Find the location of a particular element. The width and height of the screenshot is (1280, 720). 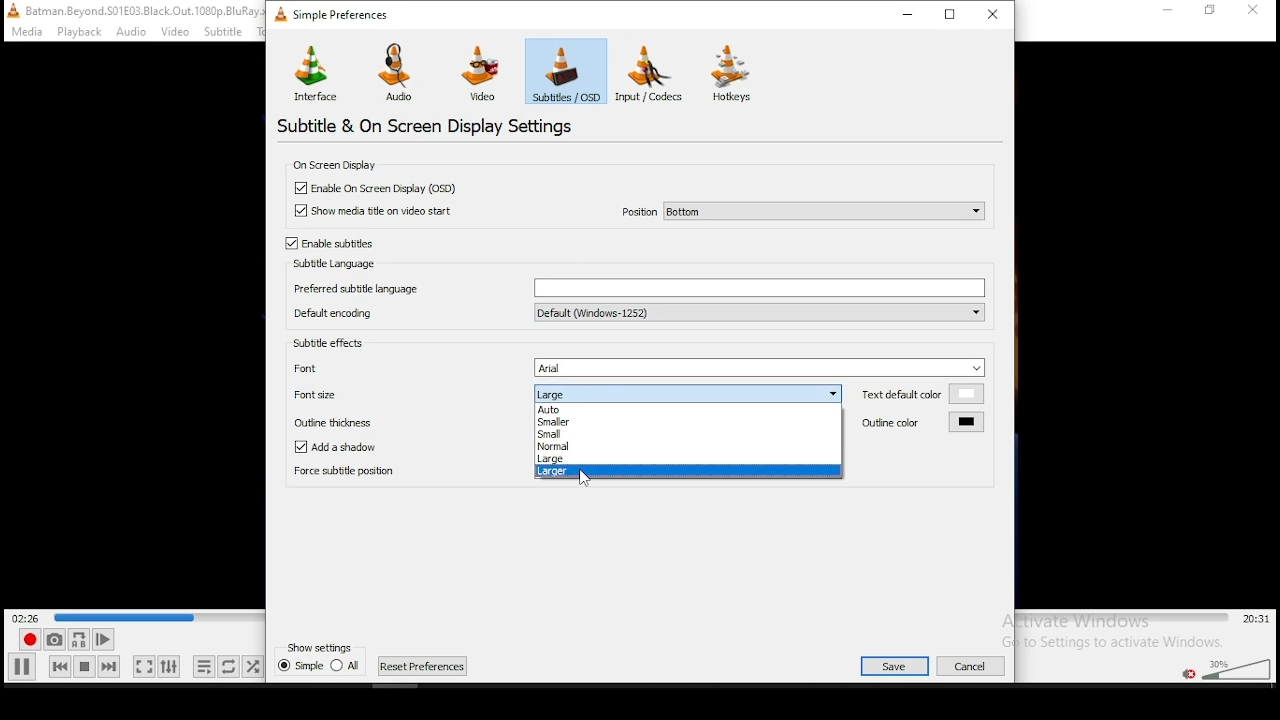

elapsed time is located at coordinates (27, 616).